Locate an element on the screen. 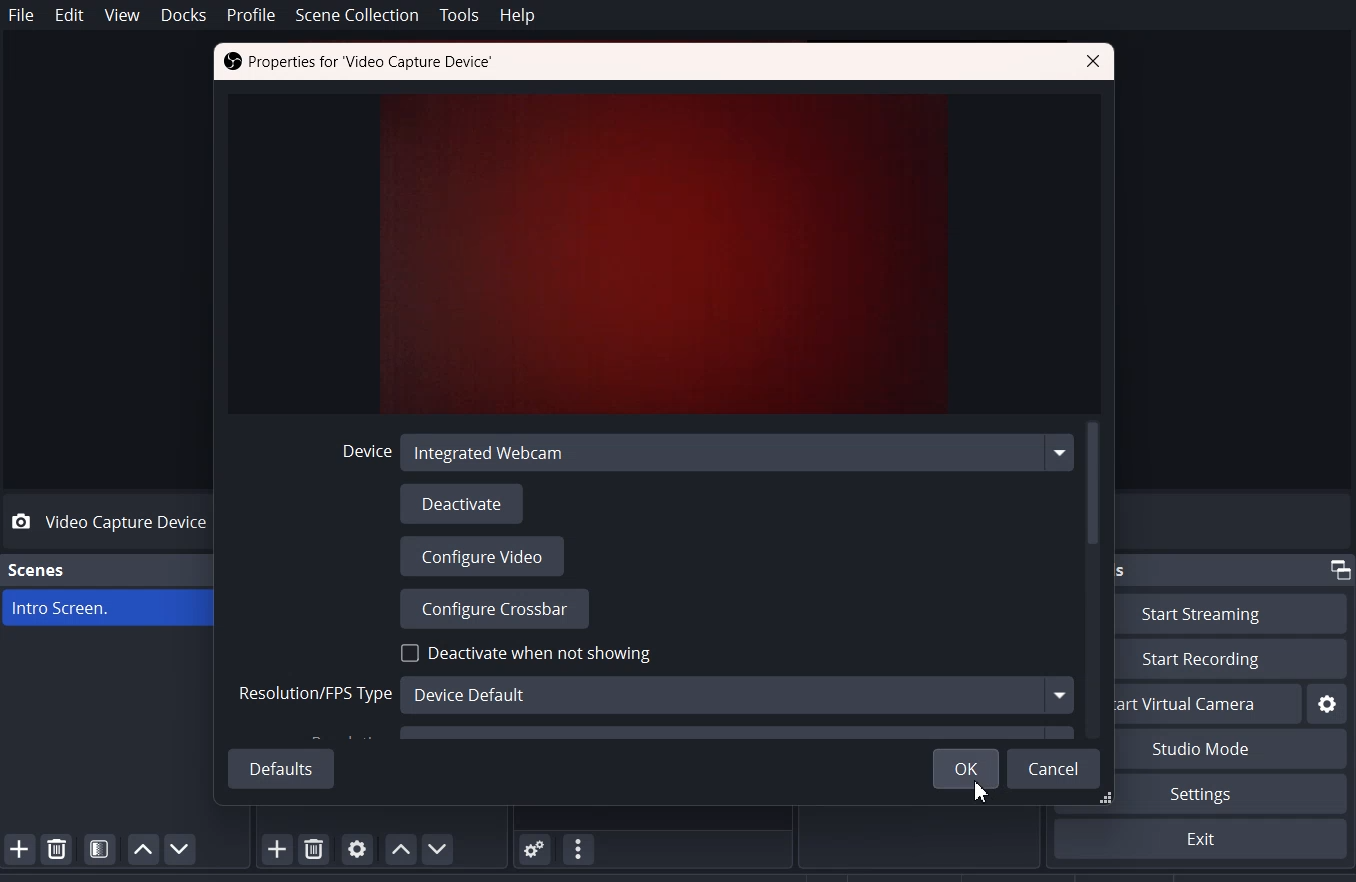 This screenshot has height=882, width=1356. Start Streaming is located at coordinates (1232, 613).